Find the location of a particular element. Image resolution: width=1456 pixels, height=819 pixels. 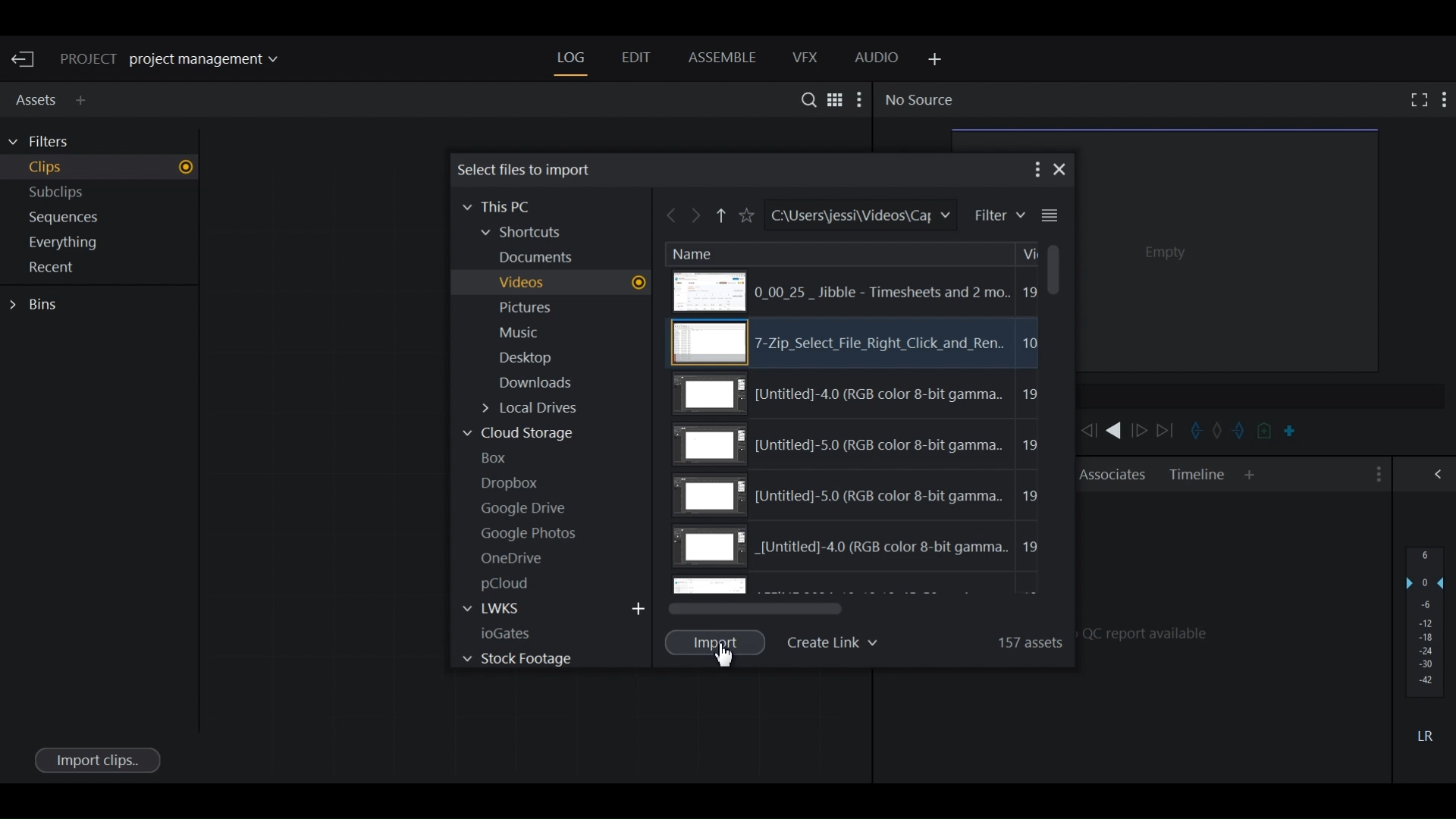

Search in assets and Bins is located at coordinates (805, 99).